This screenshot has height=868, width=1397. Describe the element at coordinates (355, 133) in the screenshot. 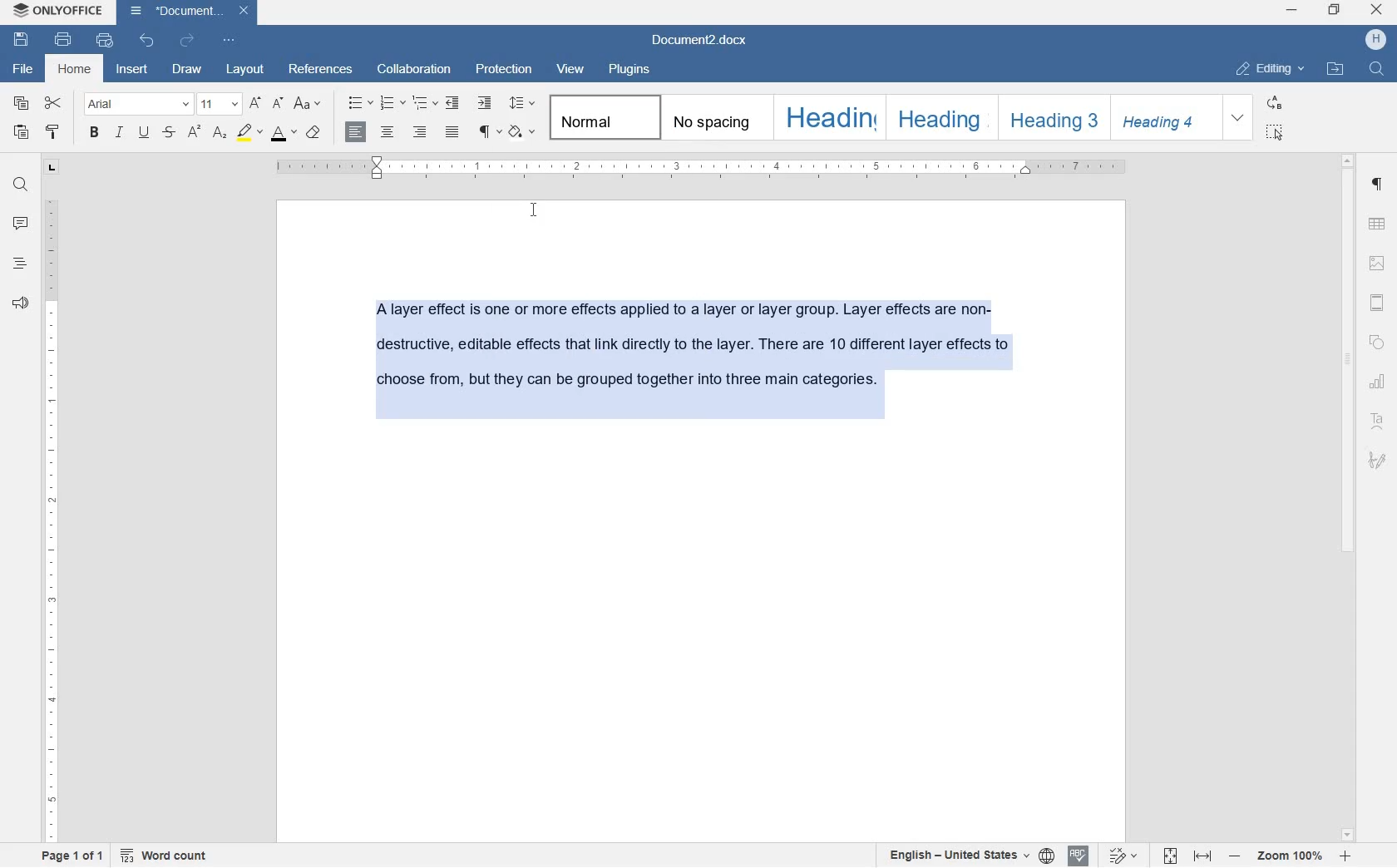

I see `align right` at that location.